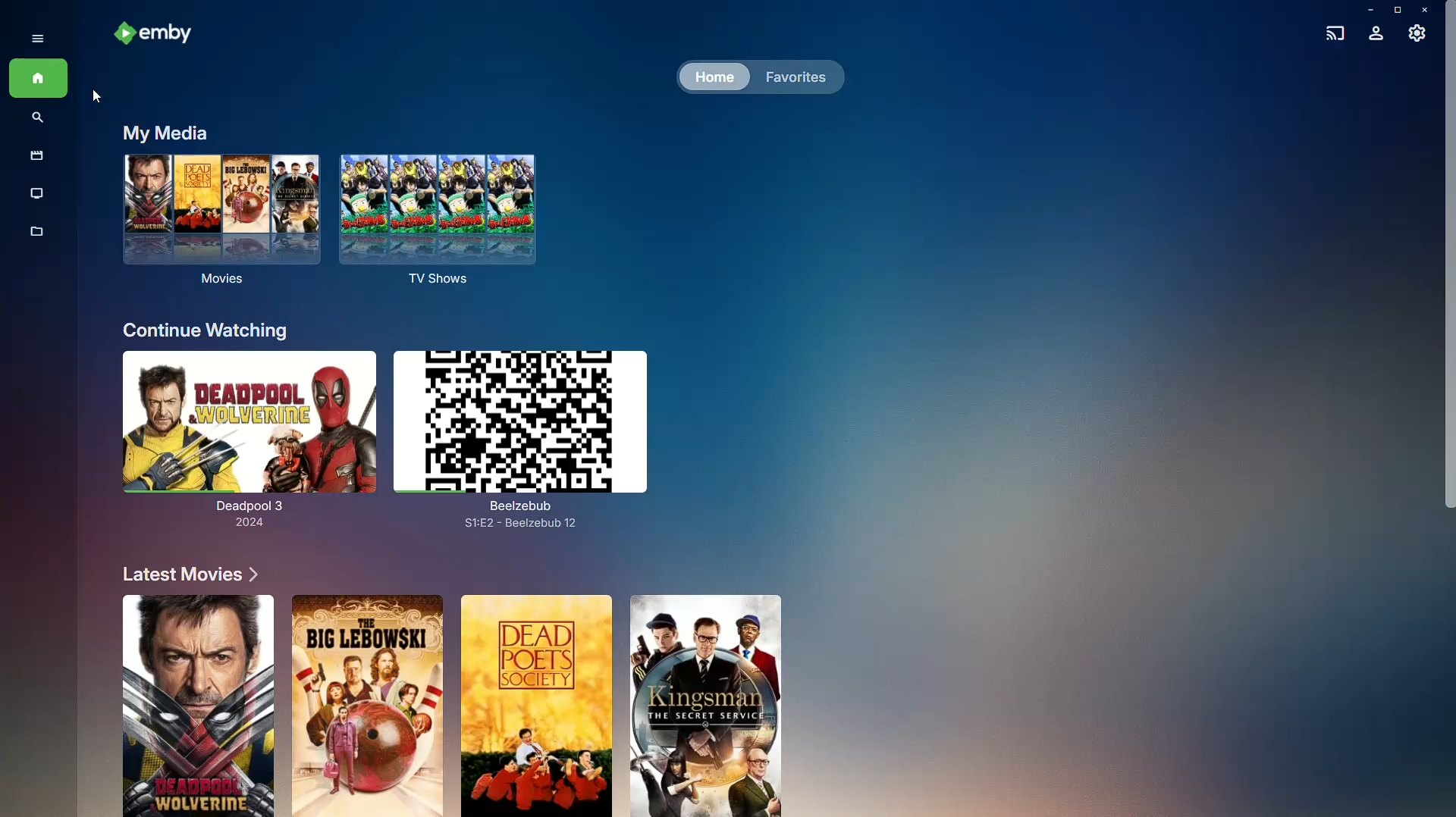 This screenshot has width=1456, height=817. I want to click on Close, so click(1427, 10).